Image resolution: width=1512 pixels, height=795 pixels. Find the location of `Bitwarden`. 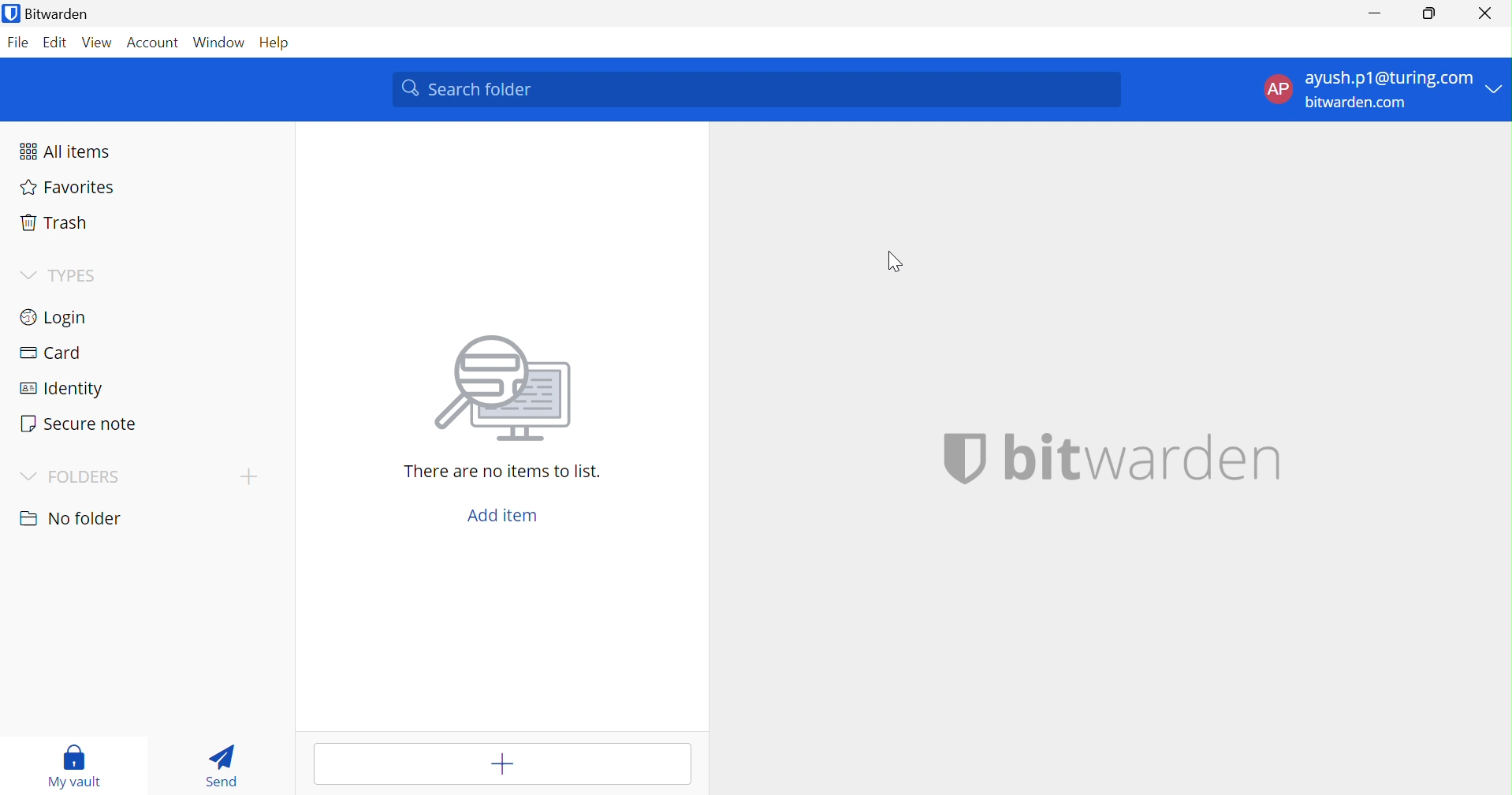

Bitwarden is located at coordinates (48, 13).